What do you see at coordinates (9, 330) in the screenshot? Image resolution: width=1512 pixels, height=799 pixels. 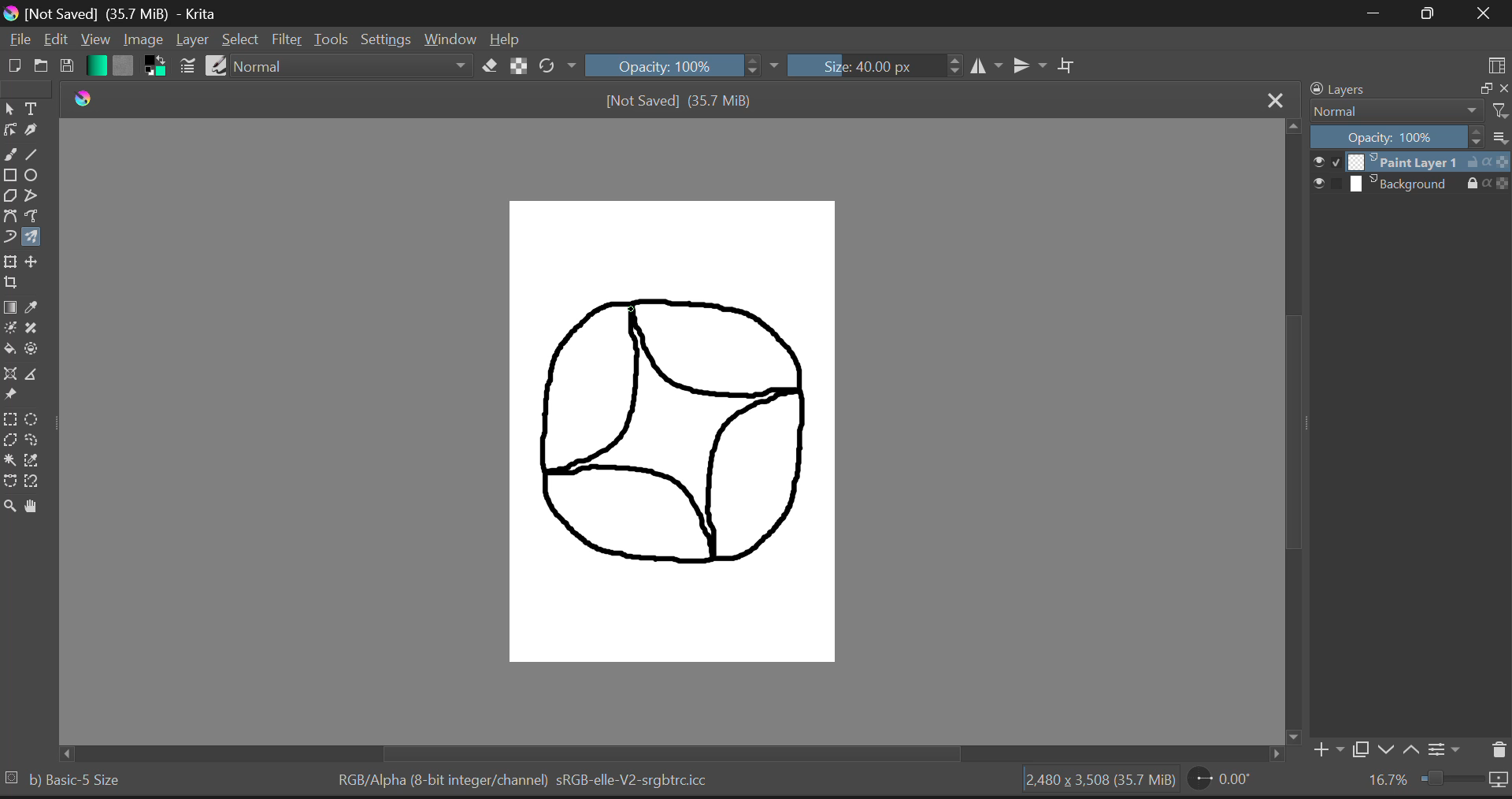 I see `Colorize Mask Tool` at bounding box center [9, 330].